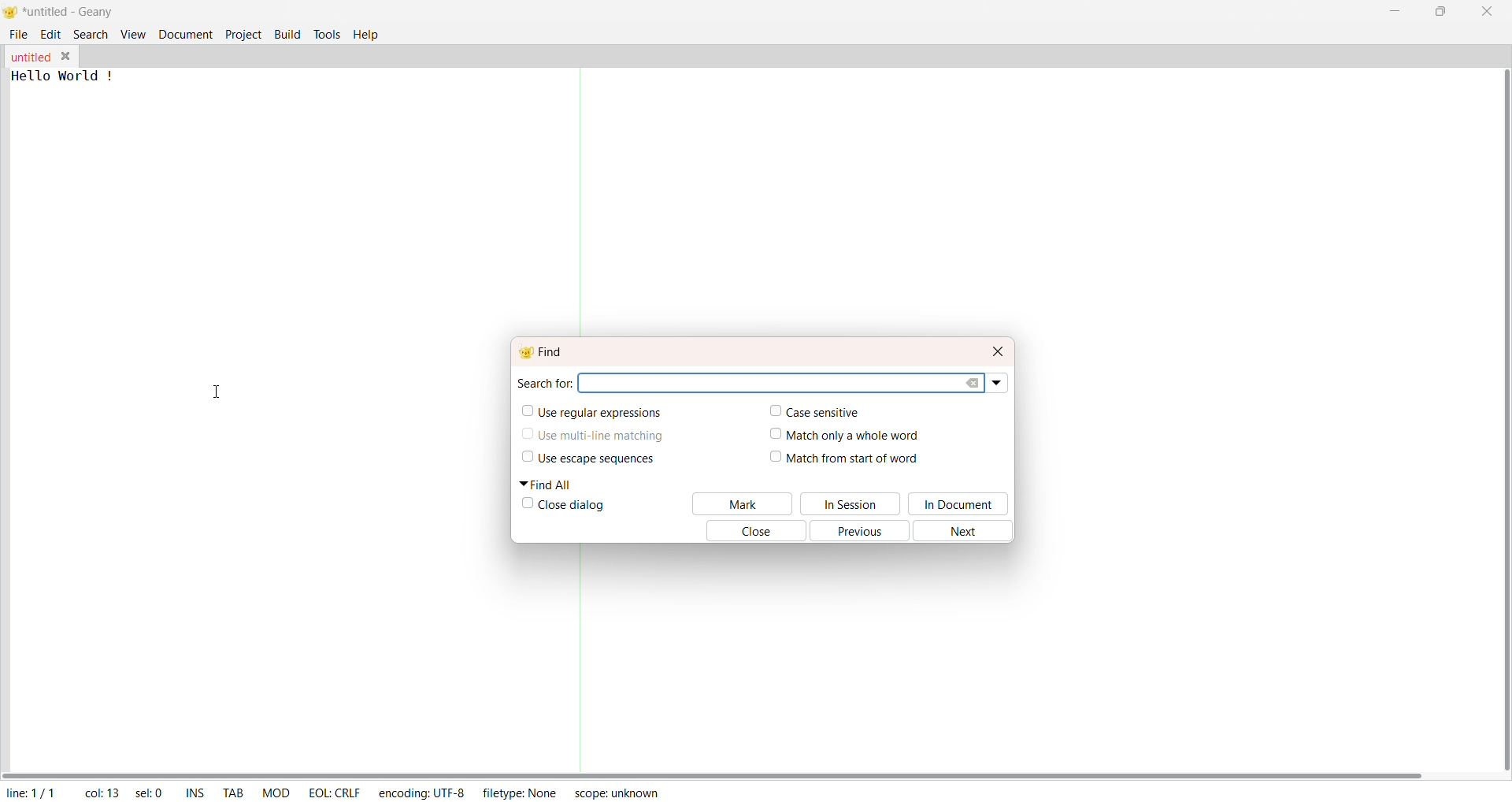 This screenshot has height=802, width=1512. Describe the element at coordinates (617, 795) in the screenshot. I see `Script Unknown` at that location.